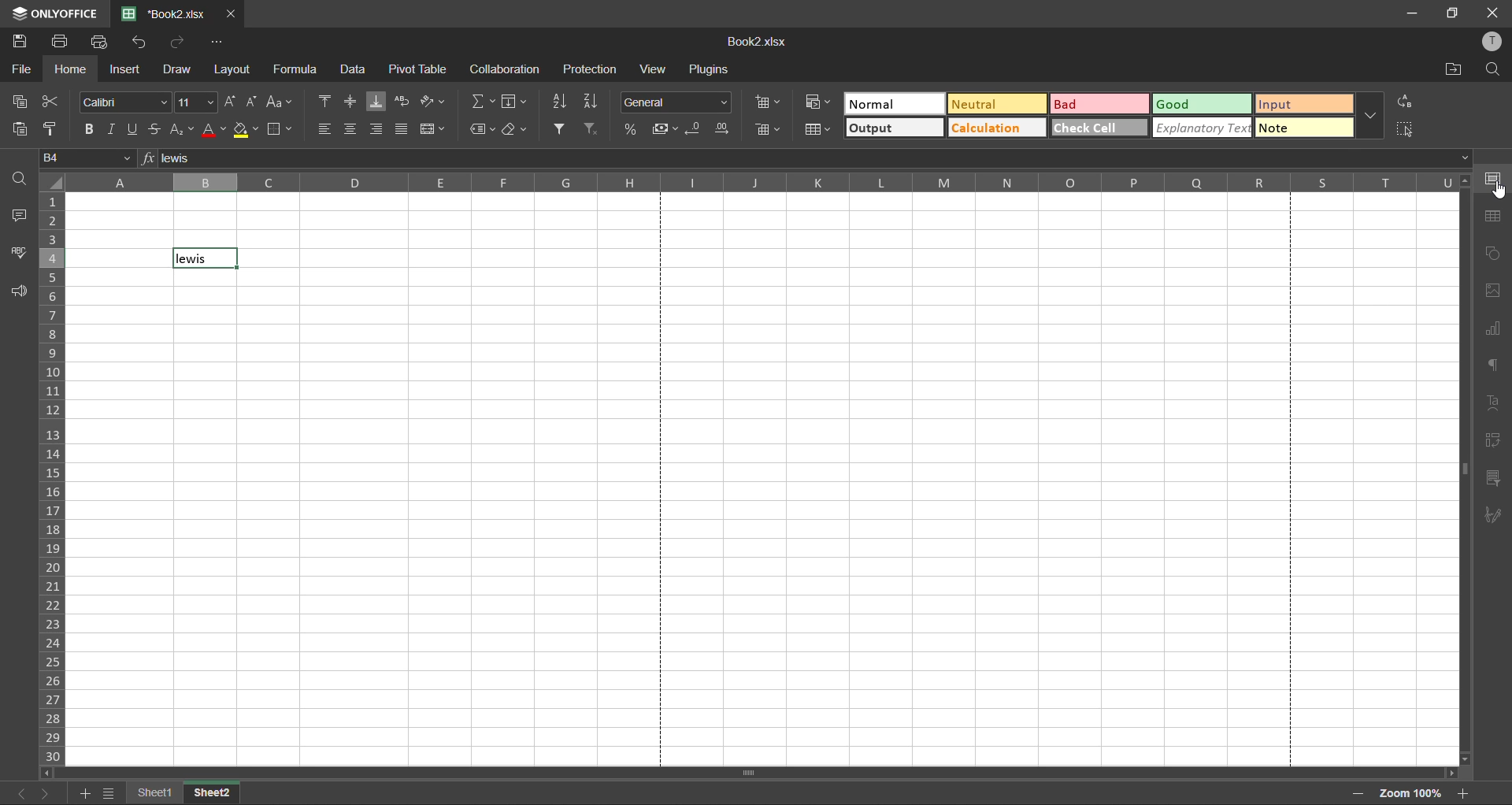  I want to click on move down, so click(1469, 758).